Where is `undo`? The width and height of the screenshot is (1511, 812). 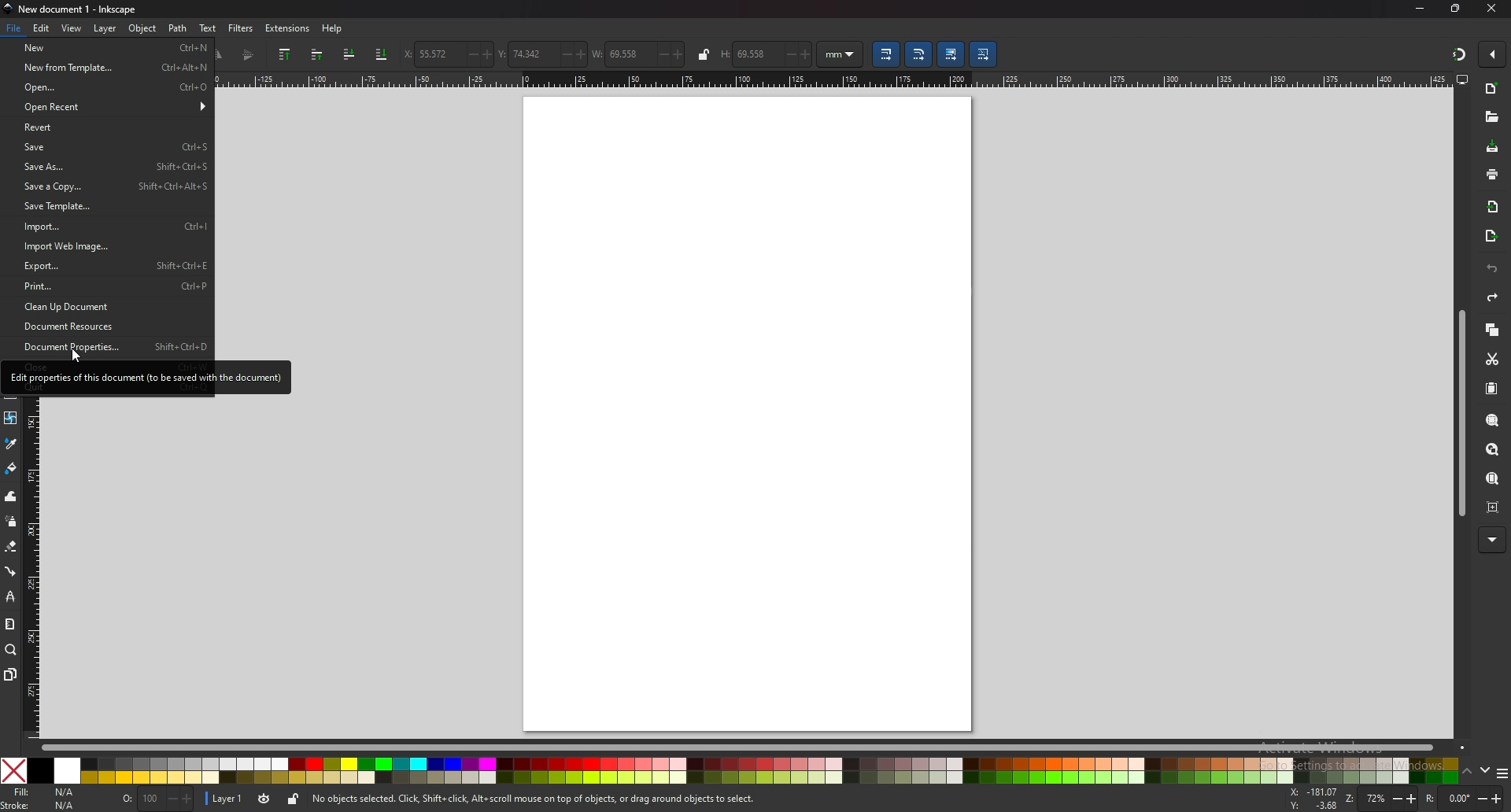 undo is located at coordinates (1493, 268).